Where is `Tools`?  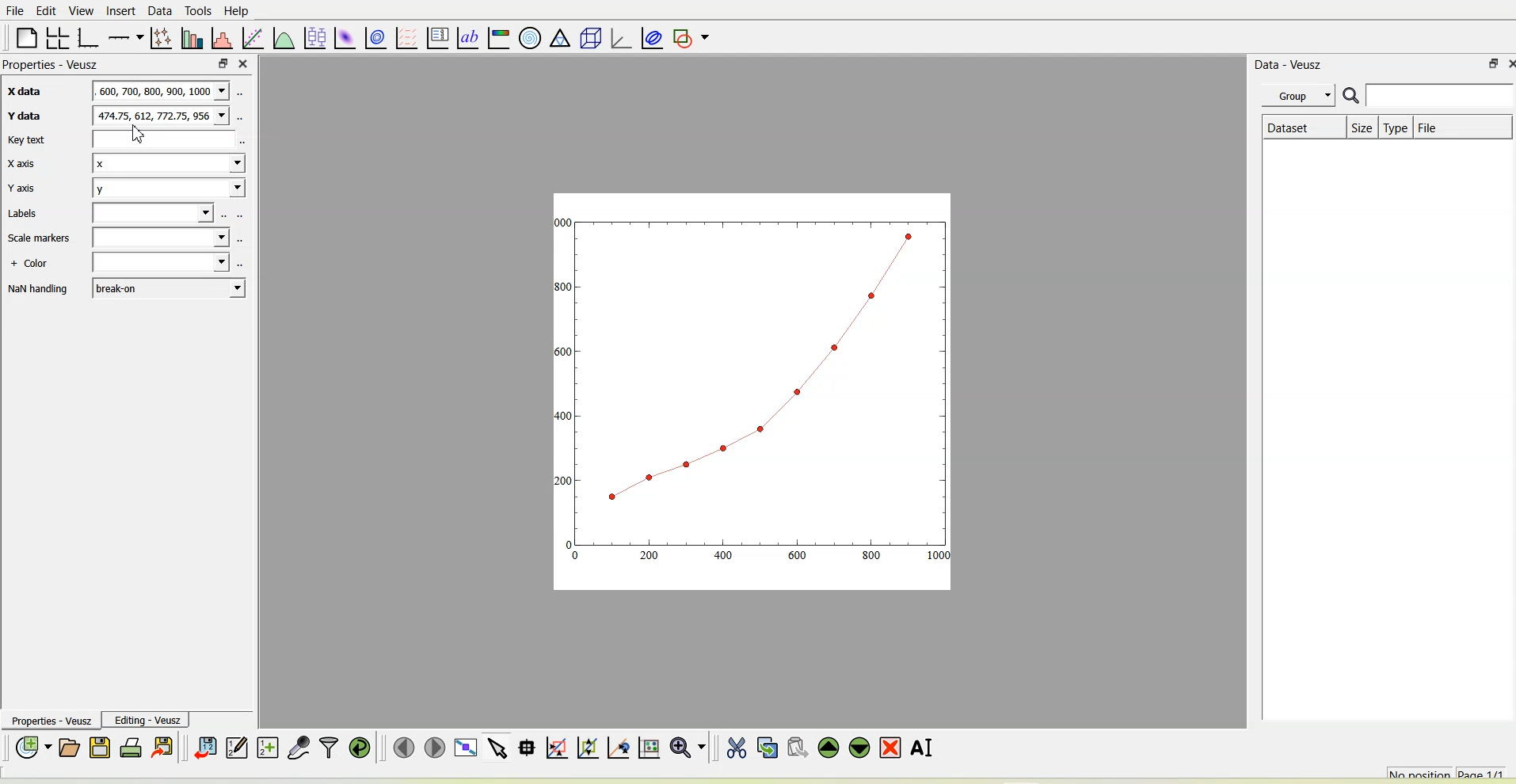
Tools is located at coordinates (196, 11).